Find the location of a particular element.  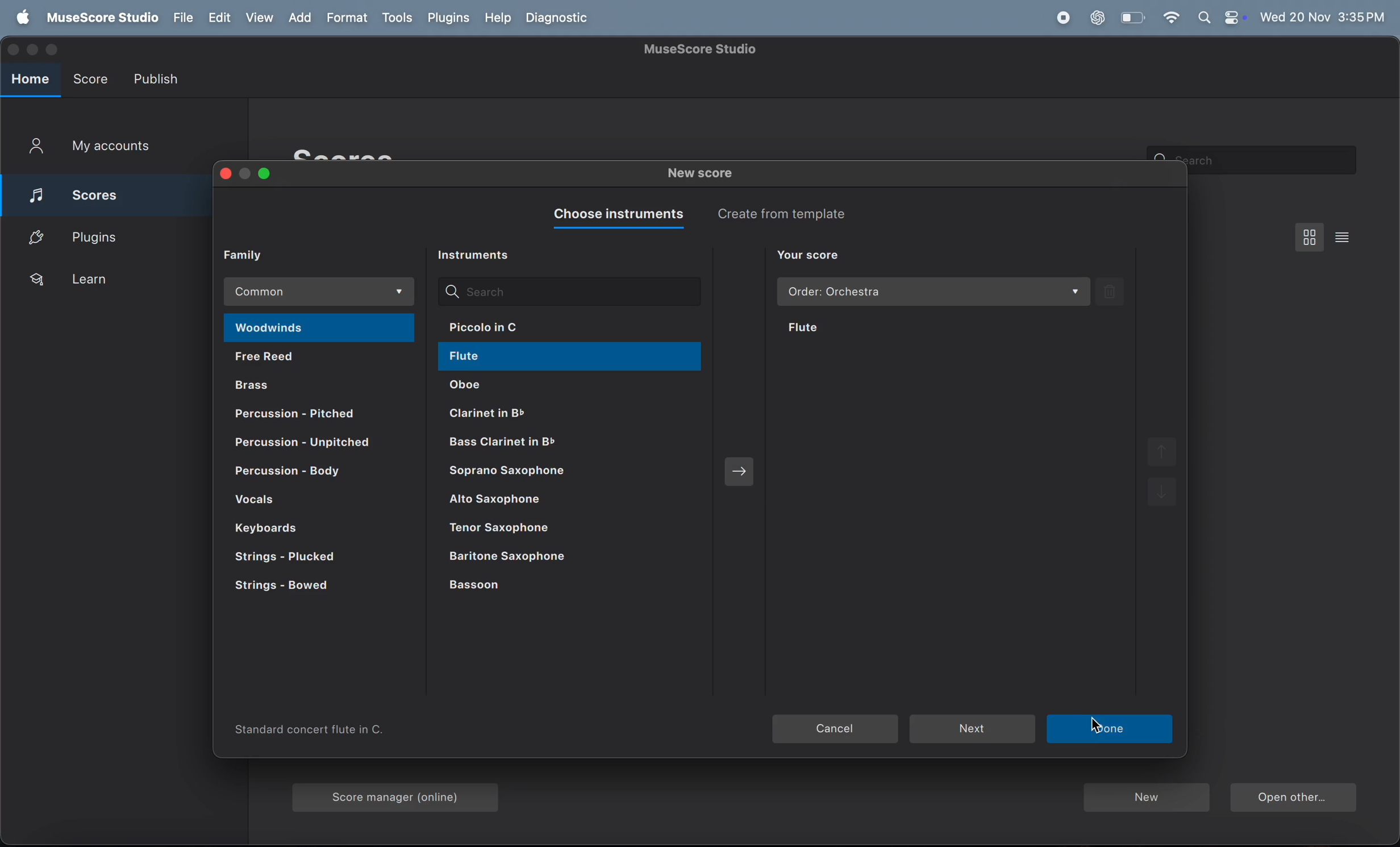

apple menu is located at coordinates (19, 18).